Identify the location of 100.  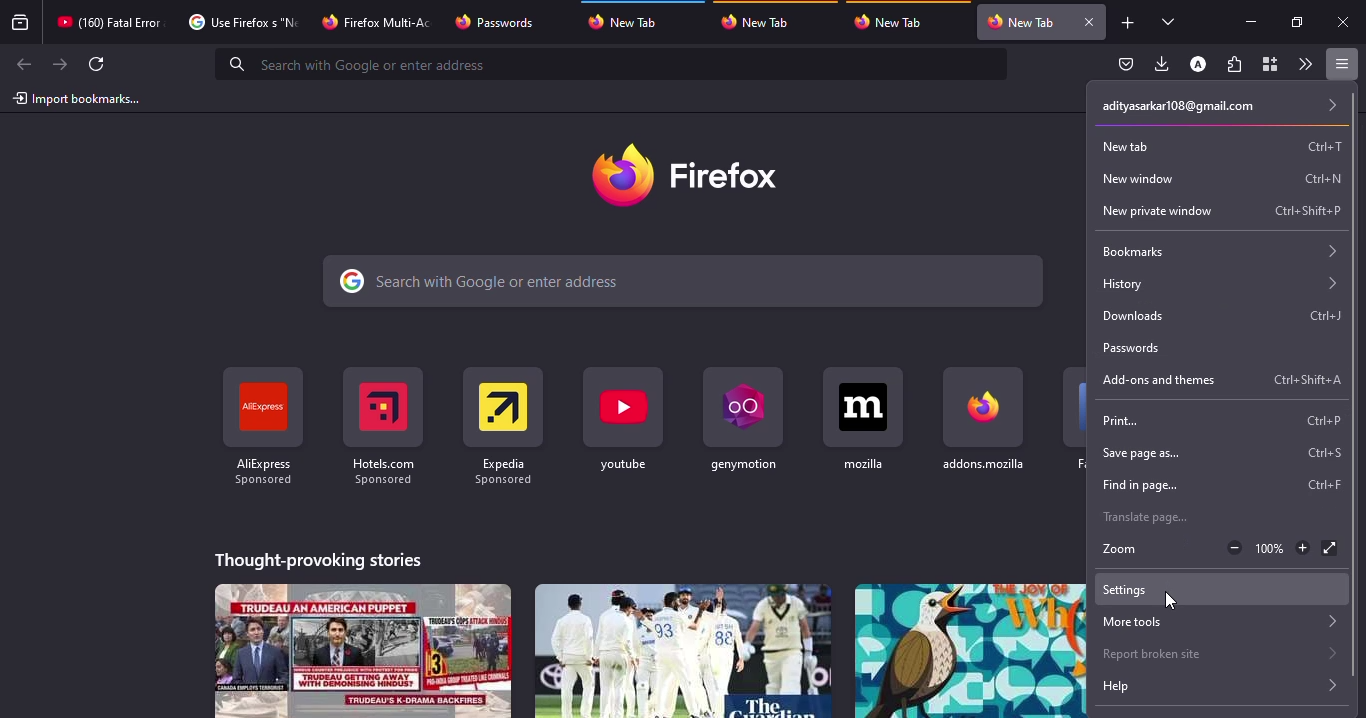
(1270, 549).